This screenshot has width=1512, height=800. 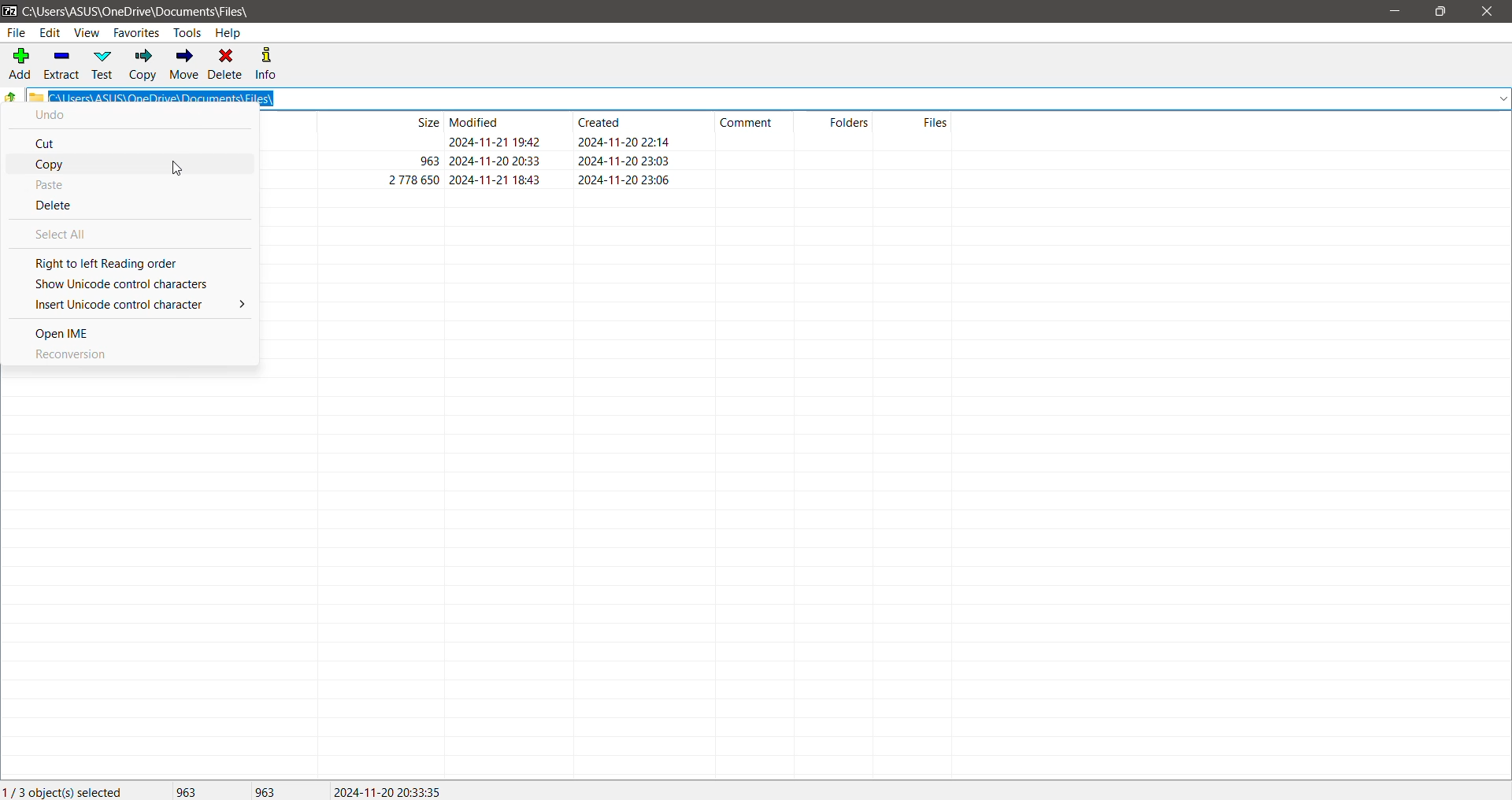 What do you see at coordinates (50, 185) in the screenshot?
I see `Paste` at bounding box center [50, 185].